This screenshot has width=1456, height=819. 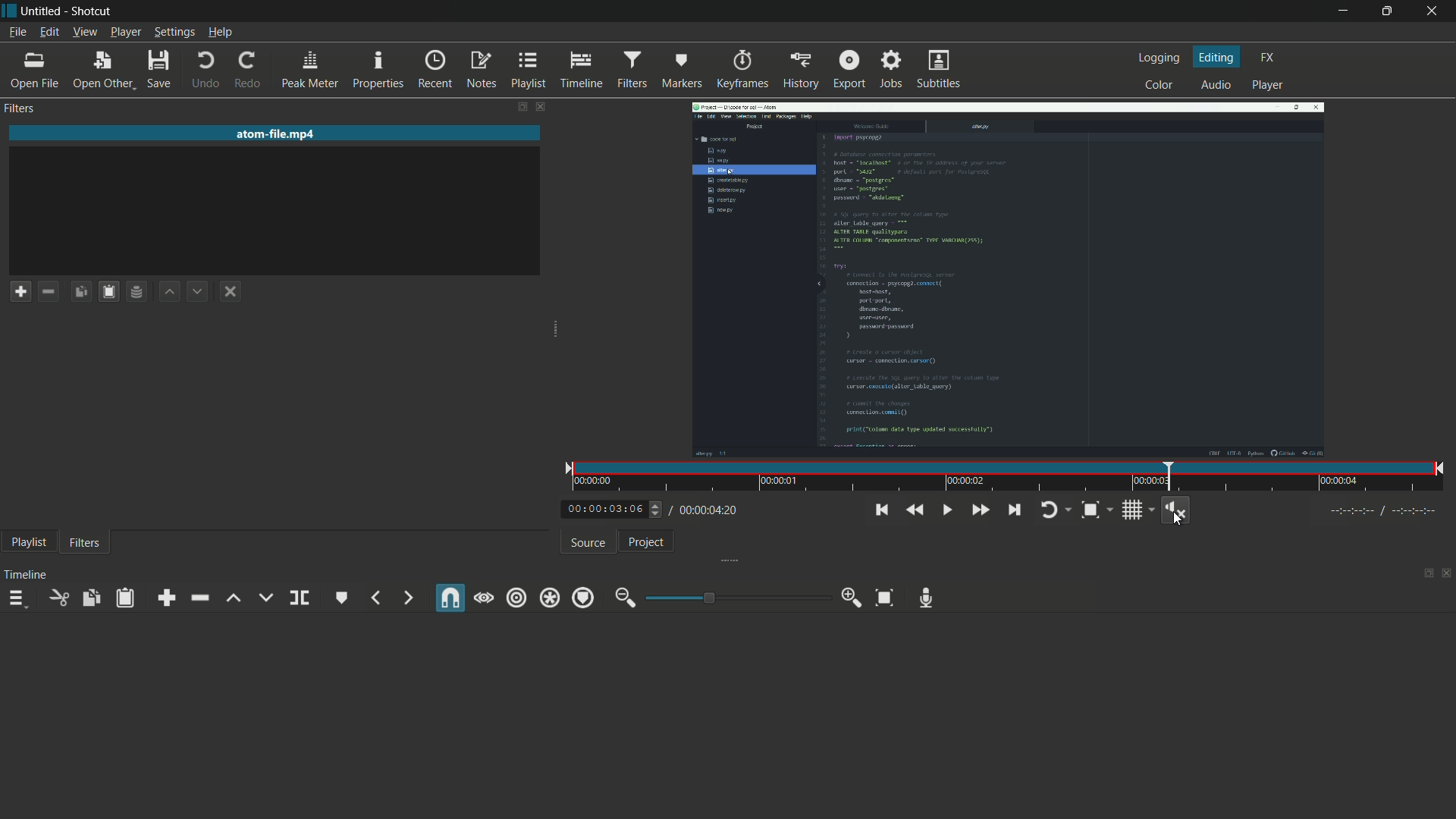 I want to click on Shotcut, so click(x=94, y=11).